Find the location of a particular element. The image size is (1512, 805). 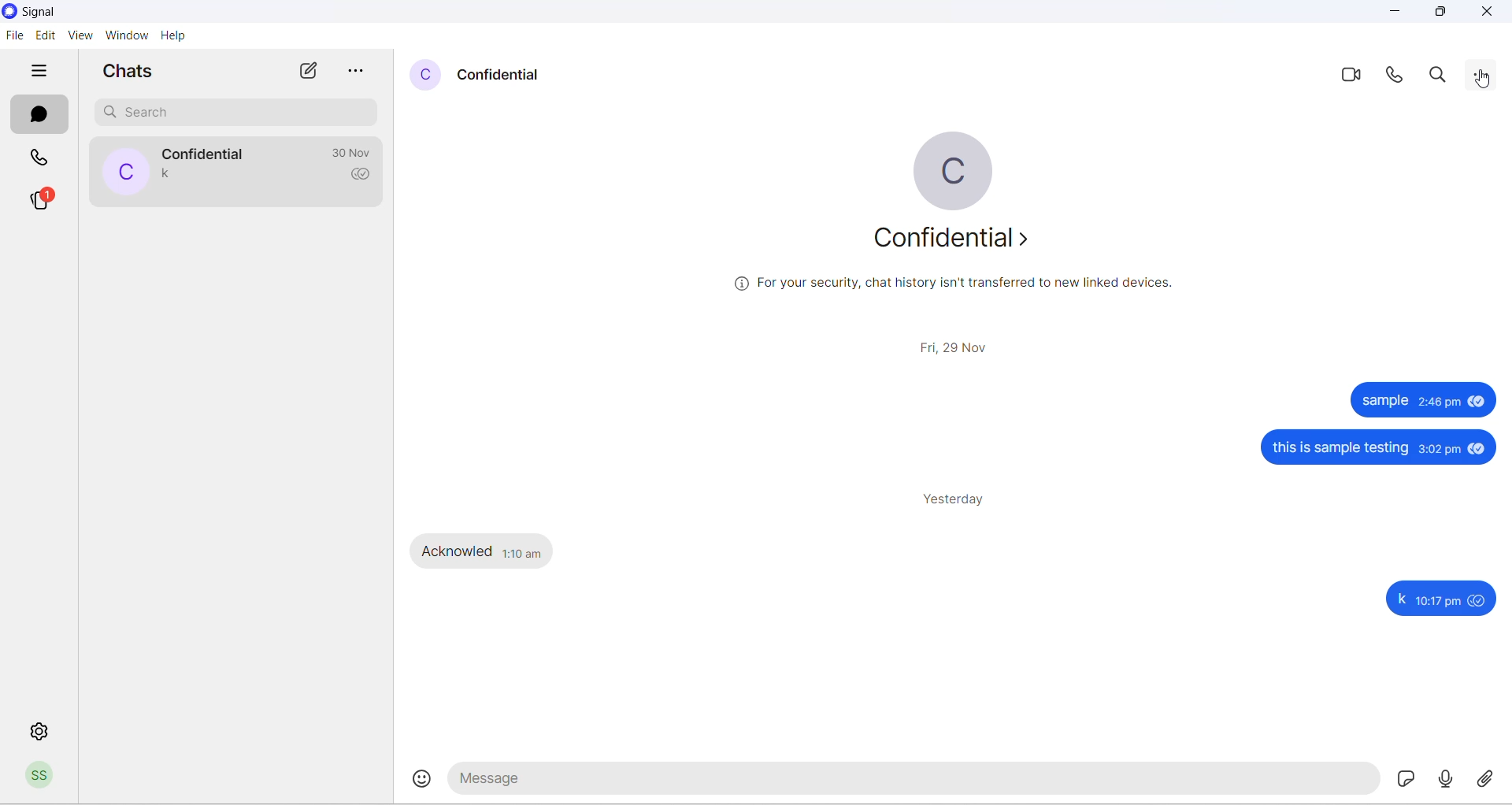

chats is located at coordinates (40, 114).